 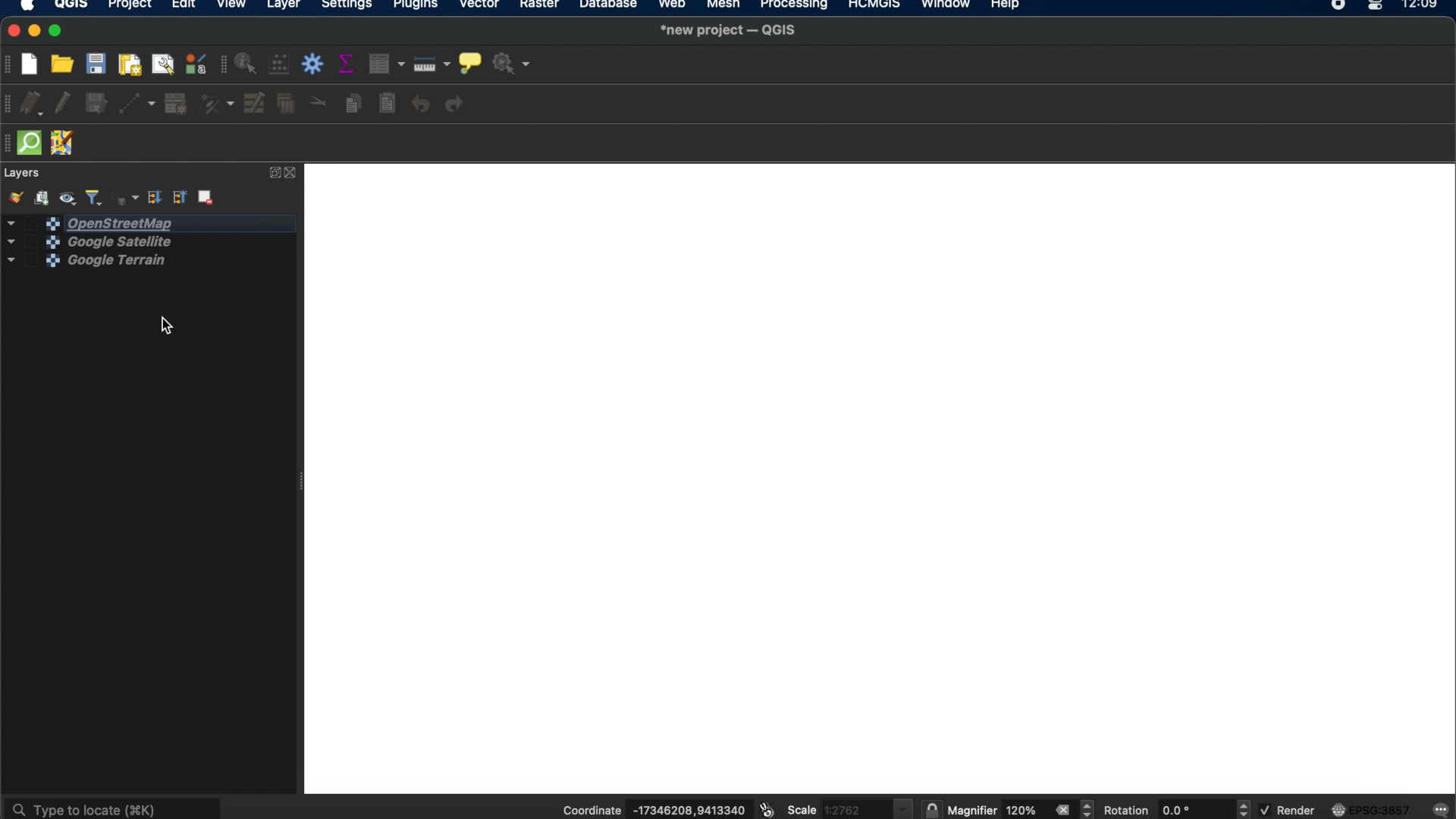 What do you see at coordinates (11, 31) in the screenshot?
I see `close` at bounding box center [11, 31].